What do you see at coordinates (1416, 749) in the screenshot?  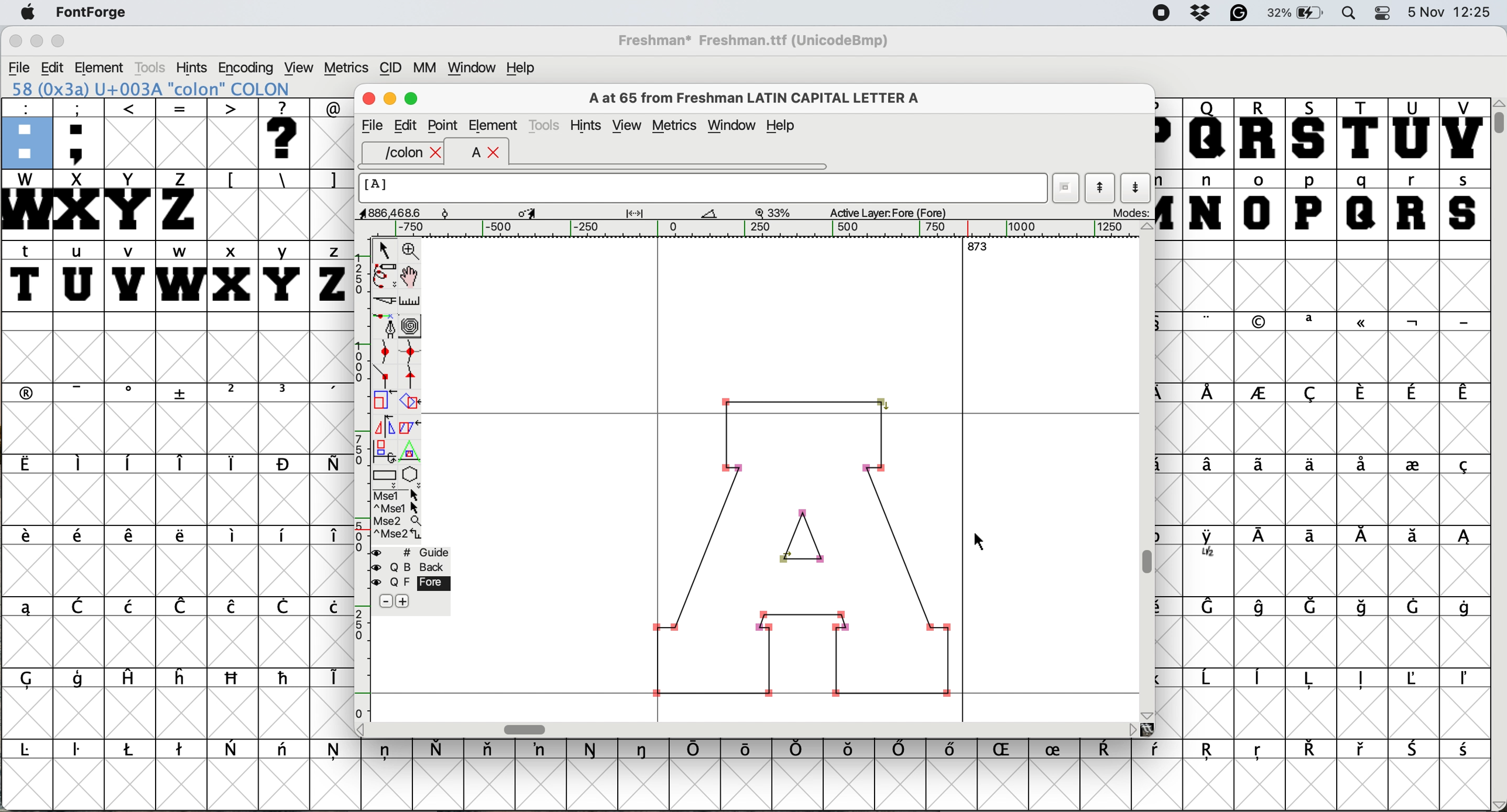 I see `symbol` at bounding box center [1416, 749].